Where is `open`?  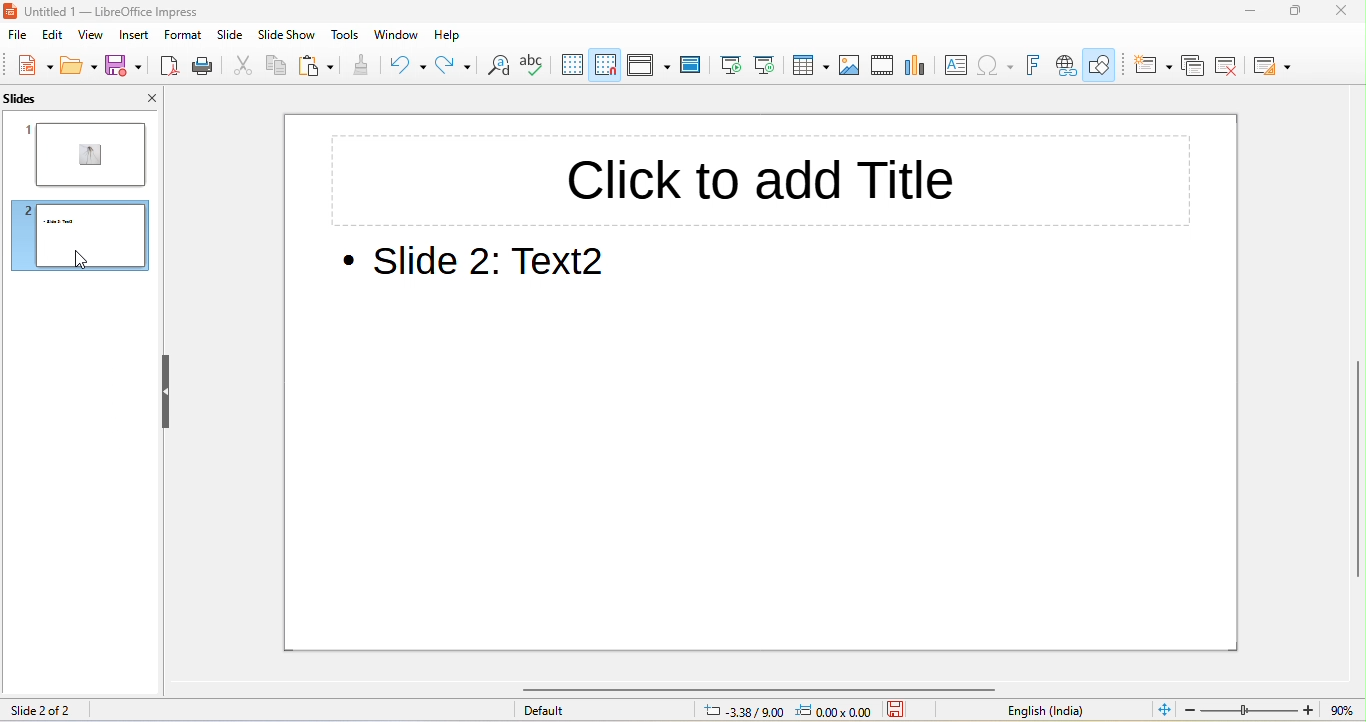
open is located at coordinates (76, 67).